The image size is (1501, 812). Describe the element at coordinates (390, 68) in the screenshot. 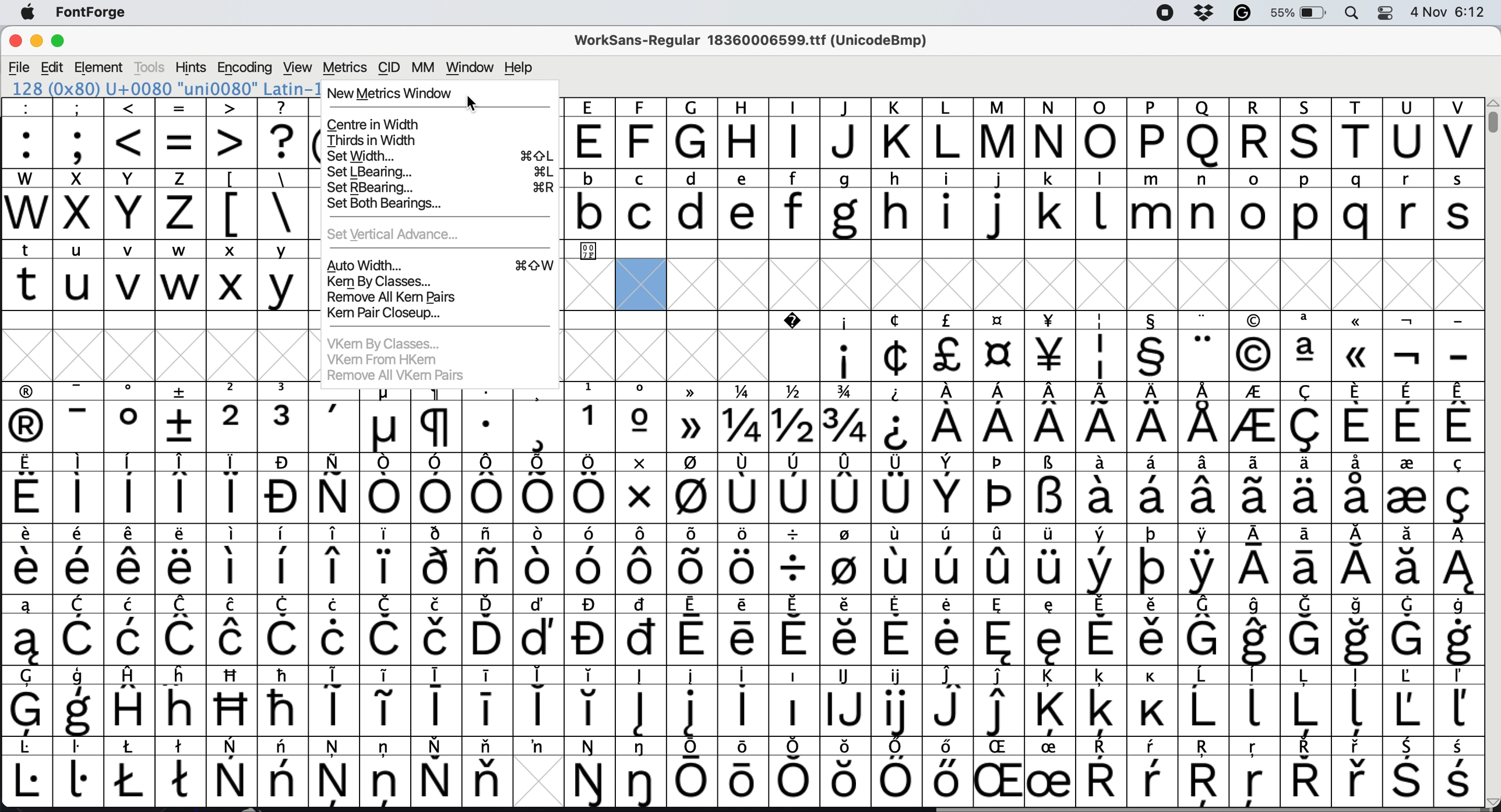

I see `CID` at that location.